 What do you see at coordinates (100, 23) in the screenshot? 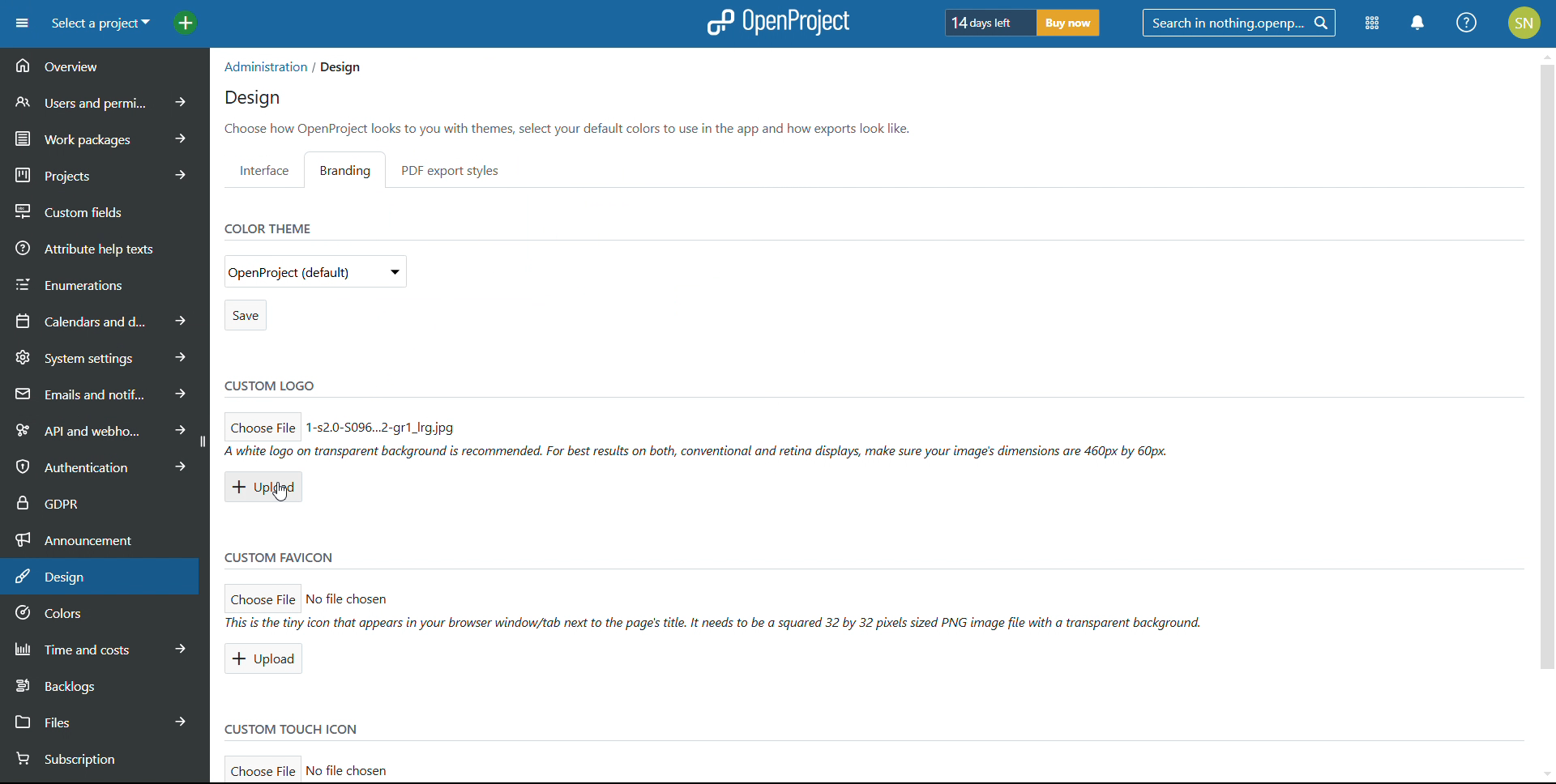
I see `select a project` at bounding box center [100, 23].